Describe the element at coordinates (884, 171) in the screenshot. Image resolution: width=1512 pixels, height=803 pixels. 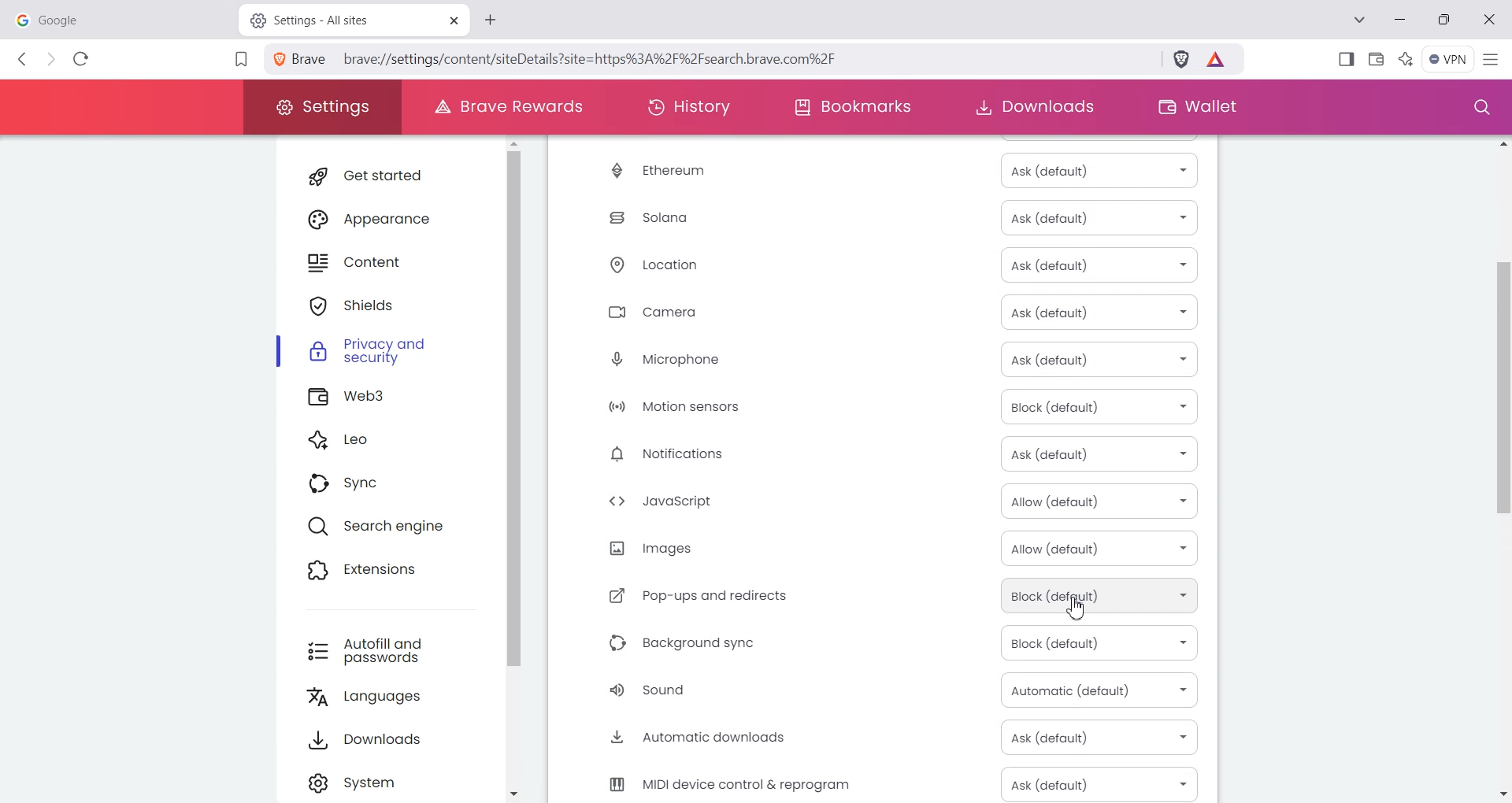
I see `Ethereum Ask (Default)` at that location.